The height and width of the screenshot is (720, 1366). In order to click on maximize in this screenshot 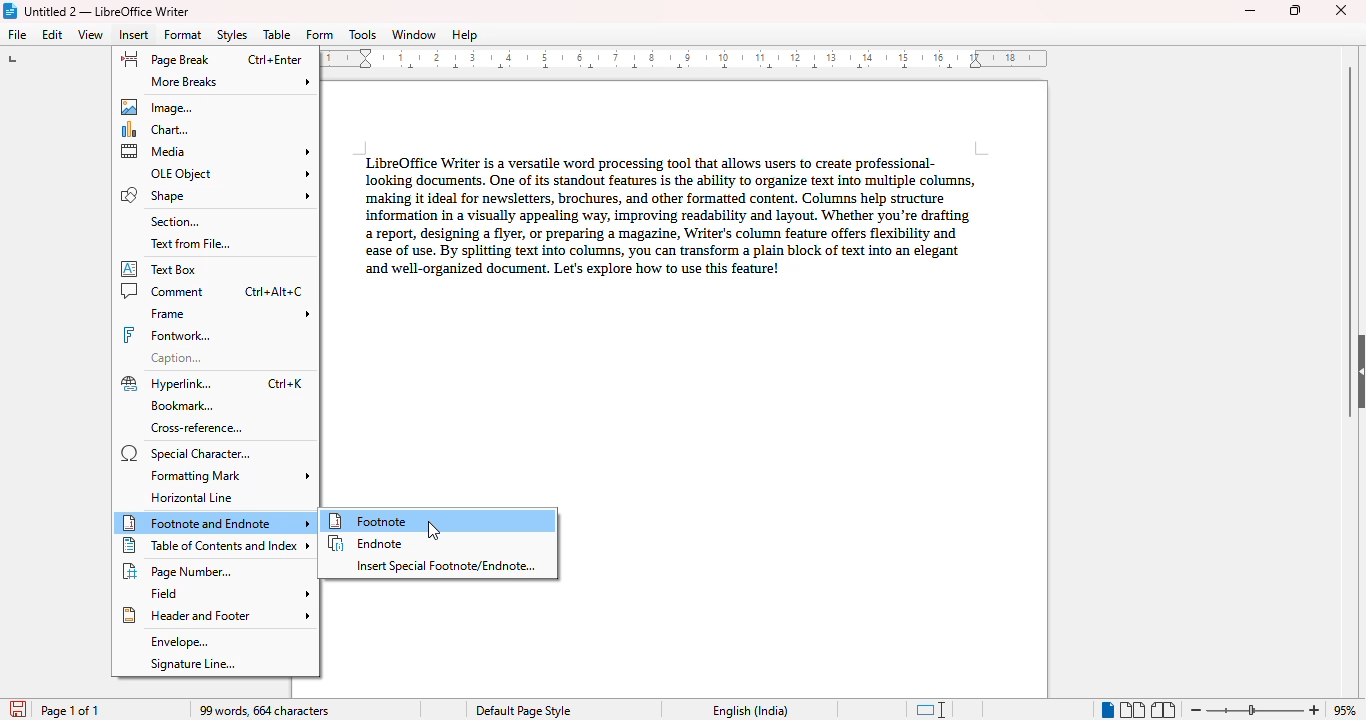, I will do `click(1295, 10)`.